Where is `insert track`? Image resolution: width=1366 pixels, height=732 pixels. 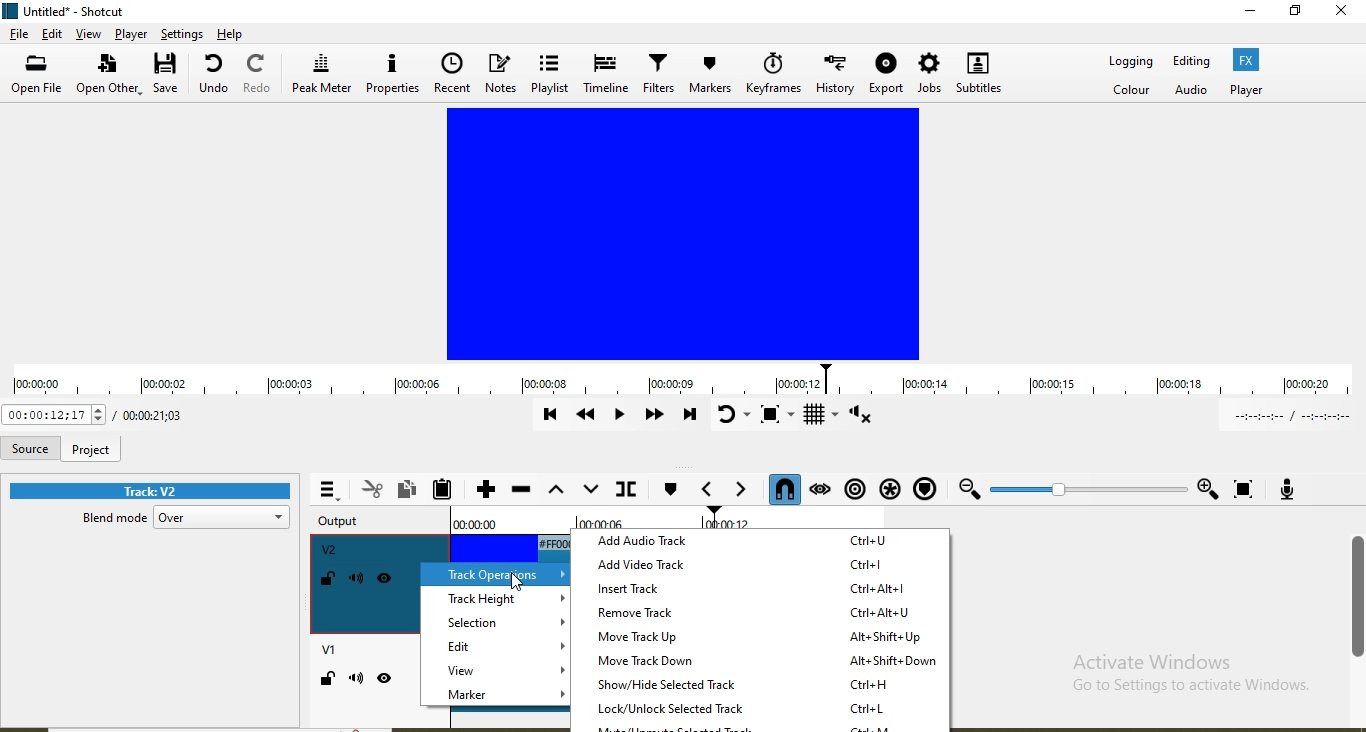
insert track is located at coordinates (766, 586).